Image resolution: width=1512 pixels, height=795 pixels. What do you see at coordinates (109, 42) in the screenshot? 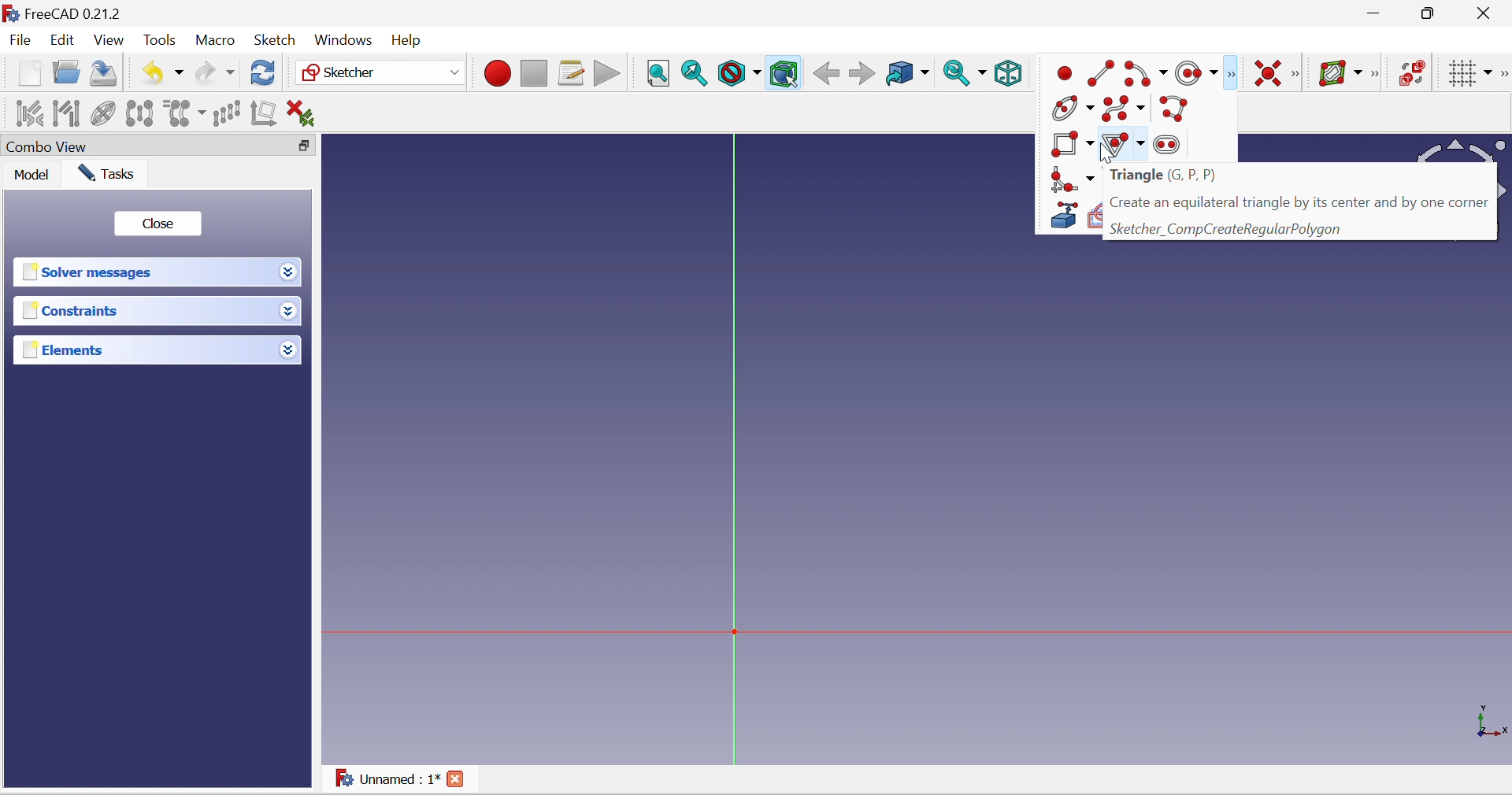
I see `View` at bounding box center [109, 42].